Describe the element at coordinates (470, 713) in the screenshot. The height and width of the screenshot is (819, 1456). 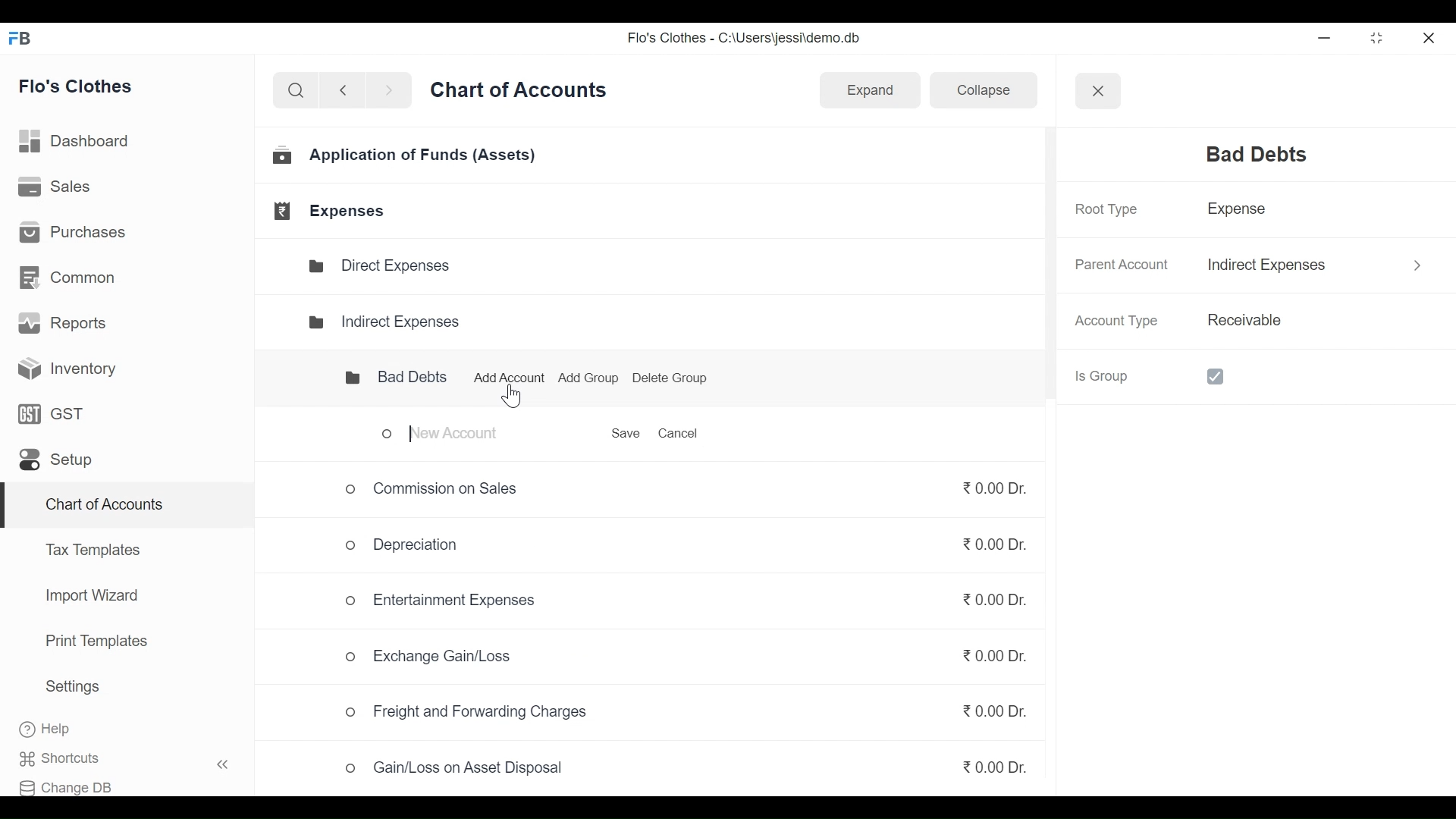
I see `o Freight and Forwarding Charges` at that location.